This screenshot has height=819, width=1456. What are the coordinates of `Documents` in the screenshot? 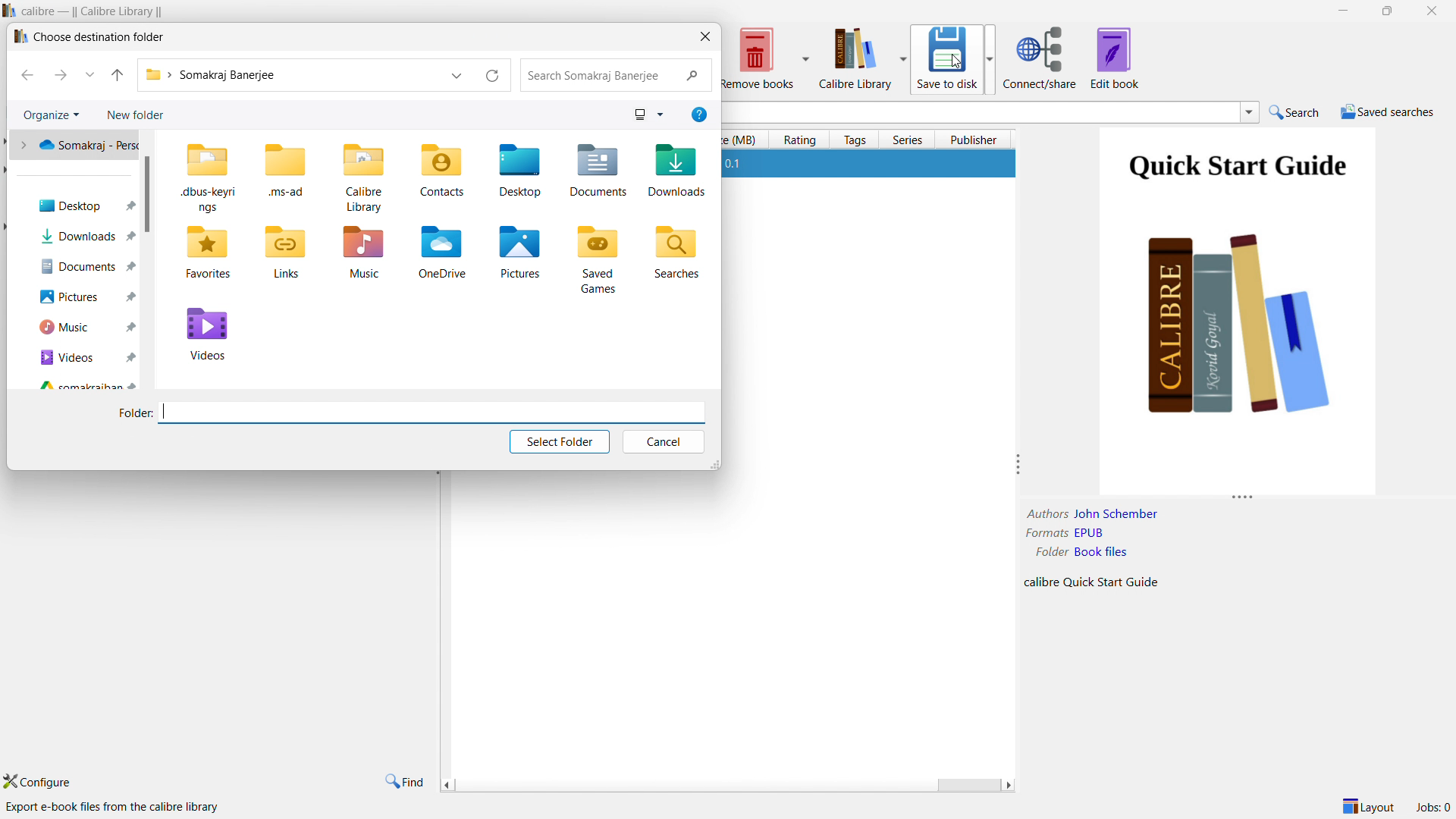 It's located at (83, 268).